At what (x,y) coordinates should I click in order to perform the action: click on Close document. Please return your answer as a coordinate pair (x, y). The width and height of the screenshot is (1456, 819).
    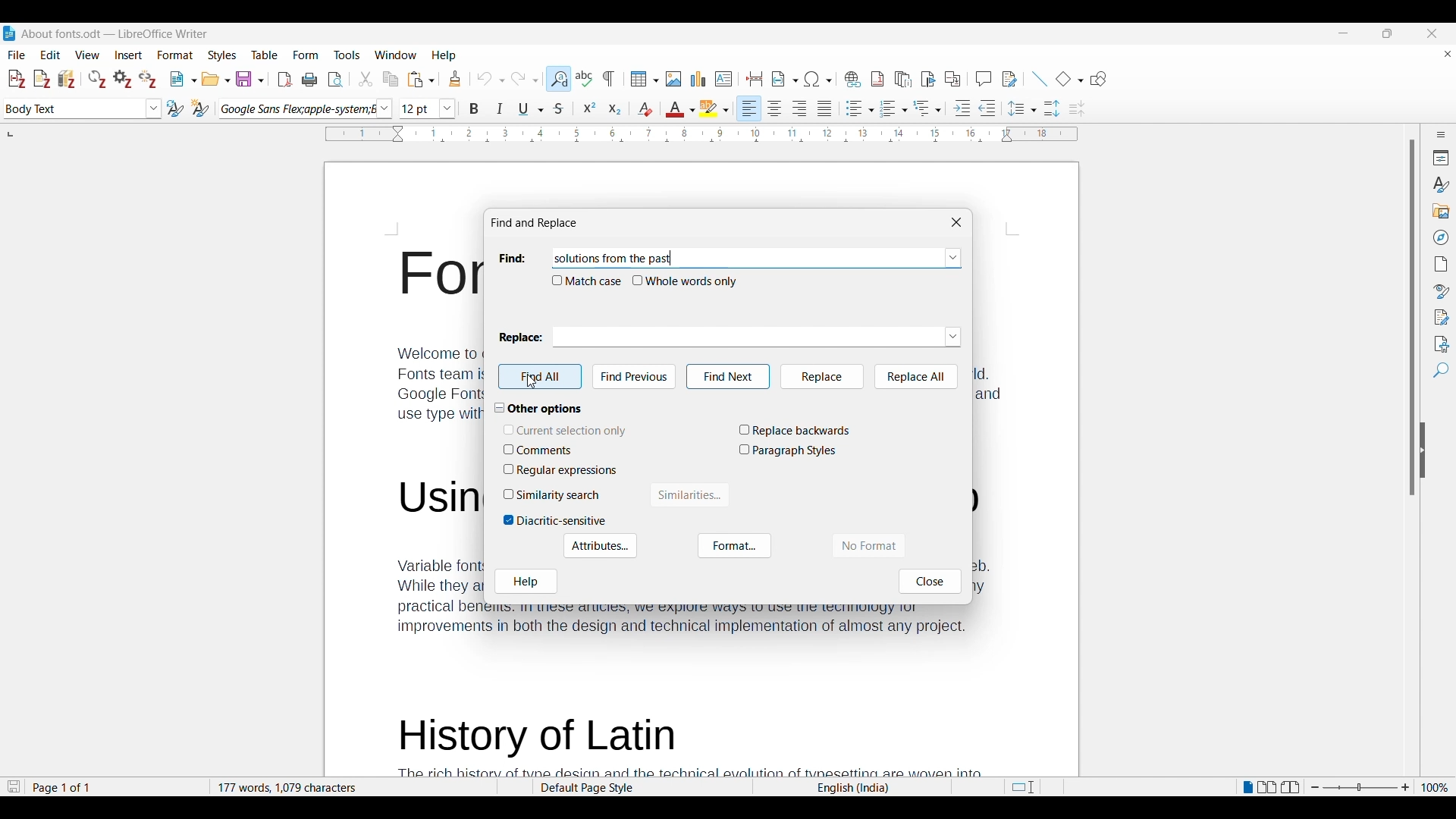
    Looking at the image, I should click on (1448, 53).